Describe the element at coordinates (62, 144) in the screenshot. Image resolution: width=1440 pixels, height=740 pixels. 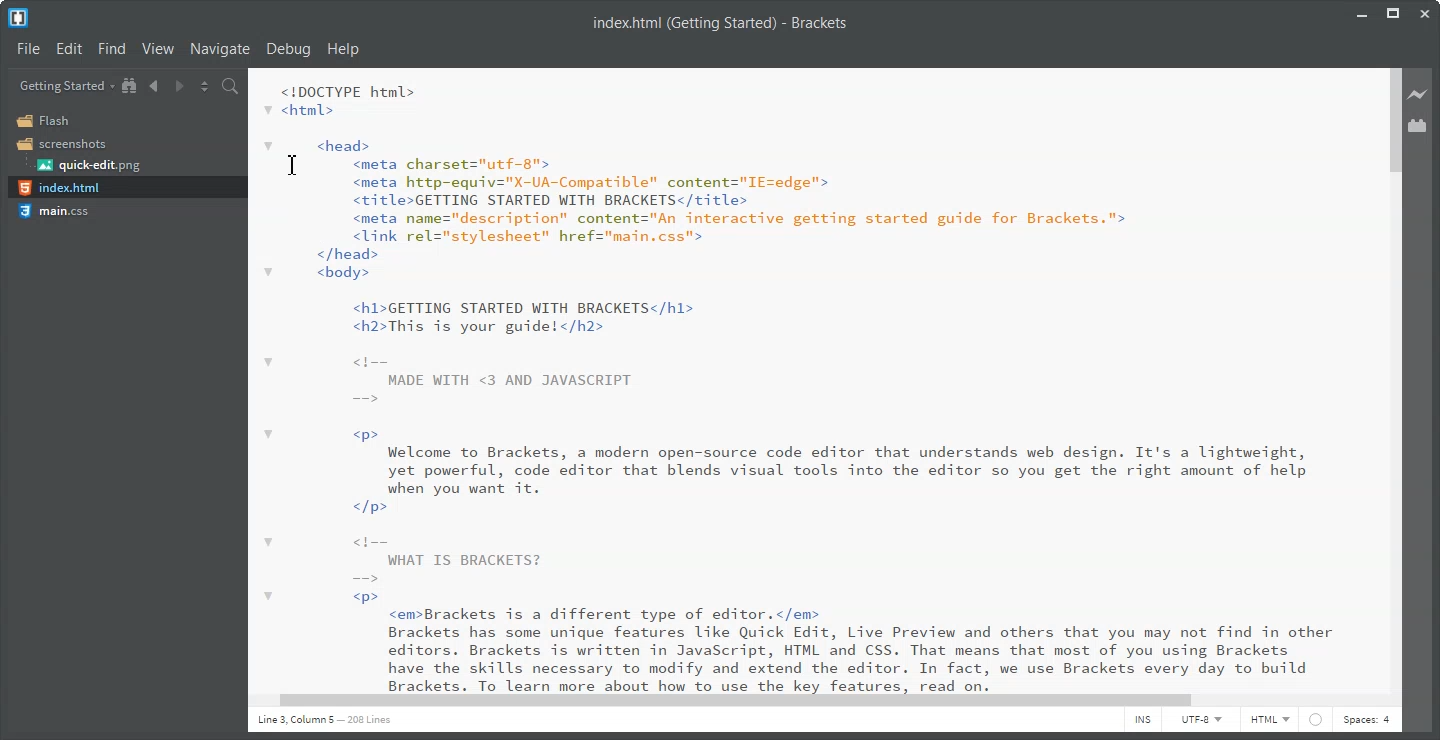
I see `Screenshots` at that location.